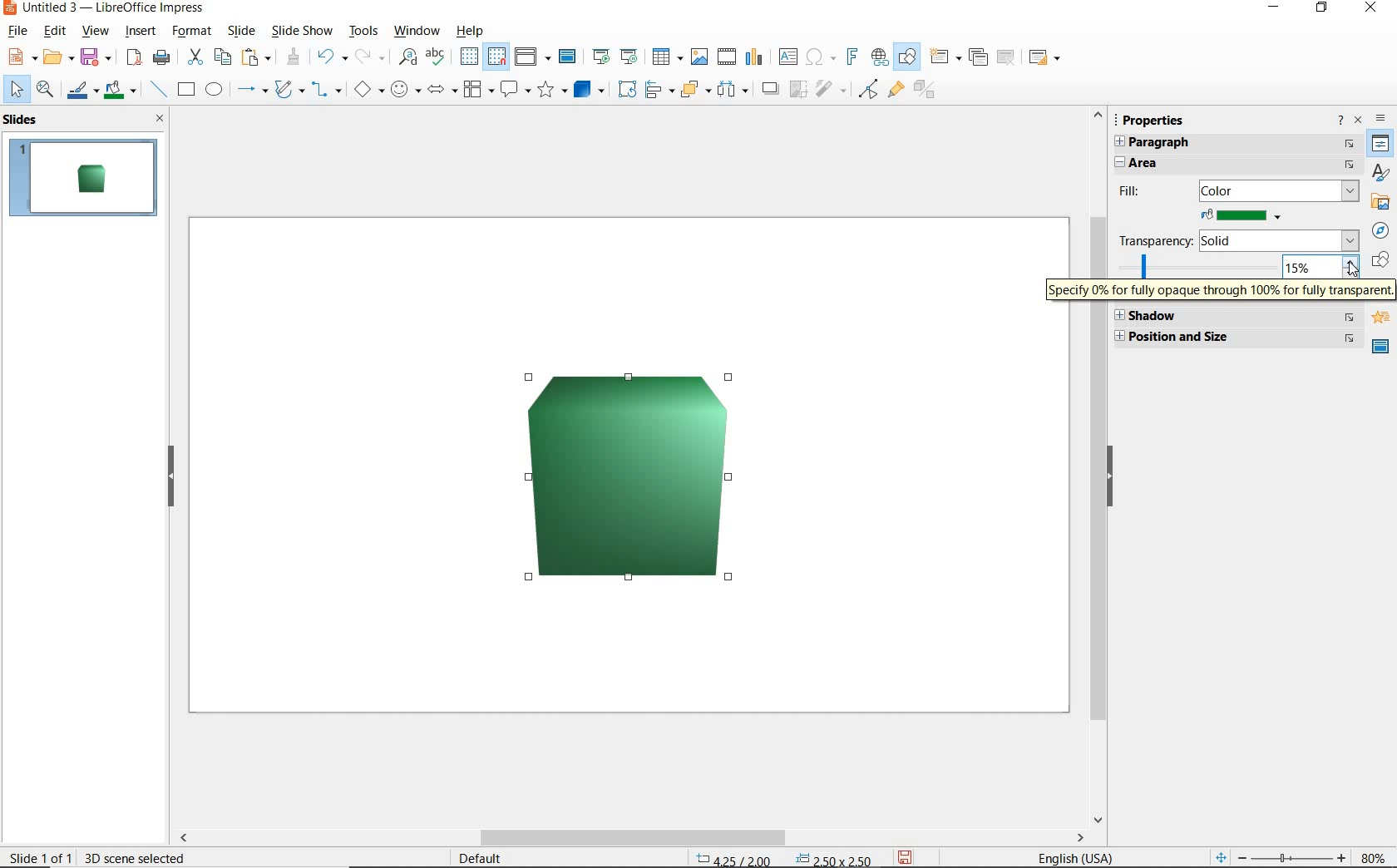 This screenshot has width=1397, height=868. What do you see at coordinates (20, 31) in the screenshot?
I see `file` at bounding box center [20, 31].